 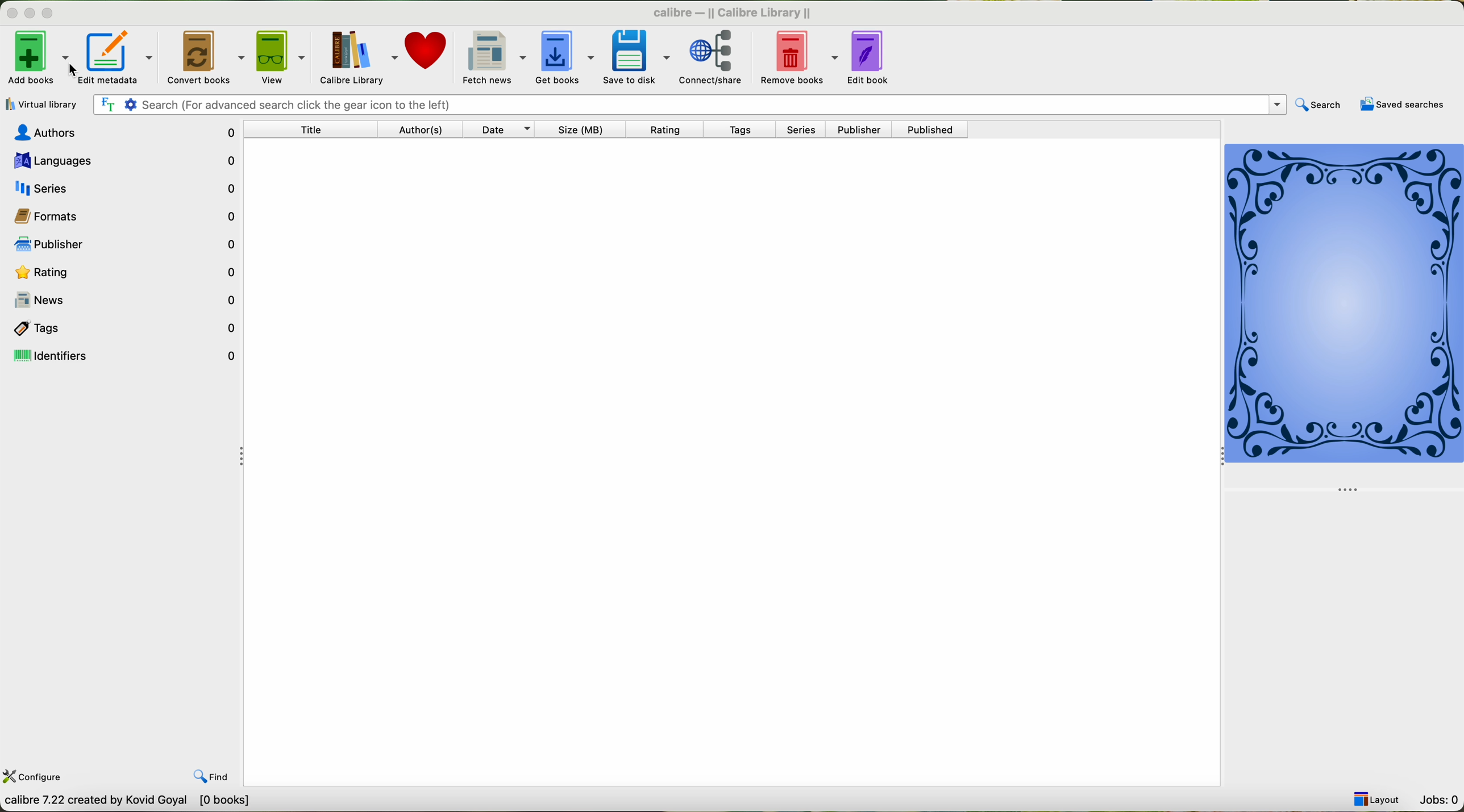 What do you see at coordinates (587, 130) in the screenshot?
I see `size` at bounding box center [587, 130].